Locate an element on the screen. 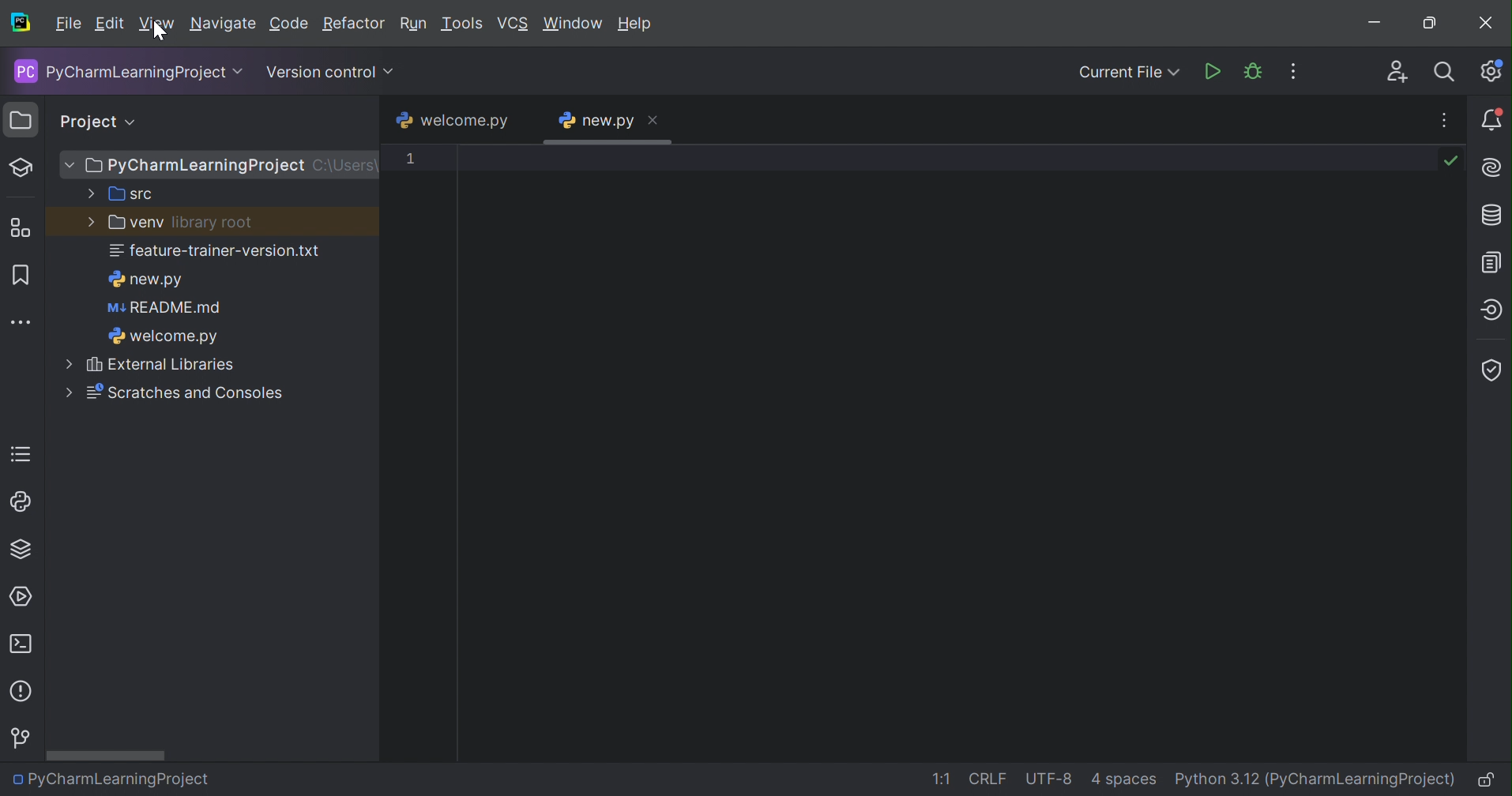 The image size is (1512, 796). Window is located at coordinates (573, 22).